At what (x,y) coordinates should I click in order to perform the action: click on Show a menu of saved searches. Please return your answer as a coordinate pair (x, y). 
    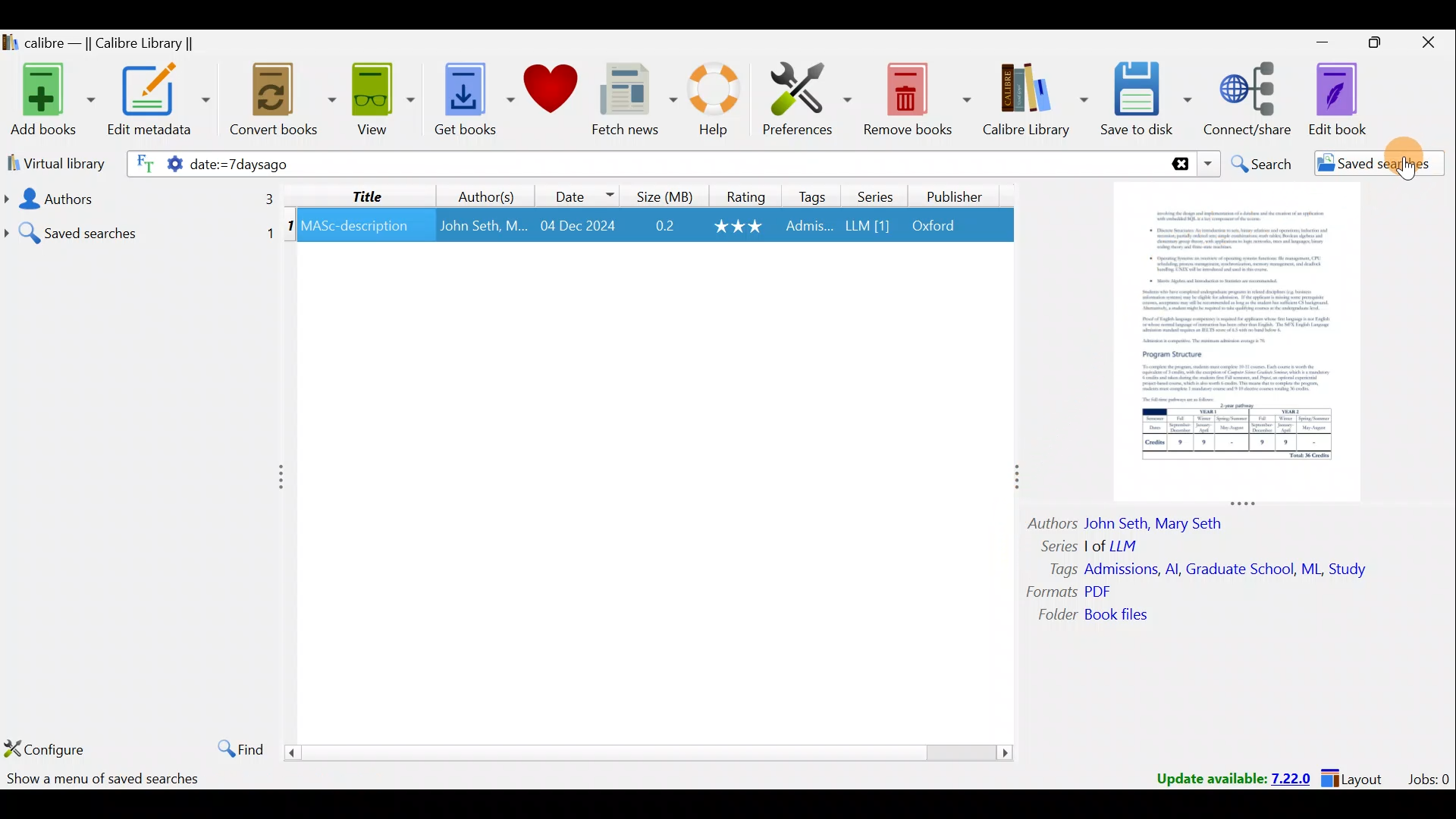
    Looking at the image, I should click on (105, 780).